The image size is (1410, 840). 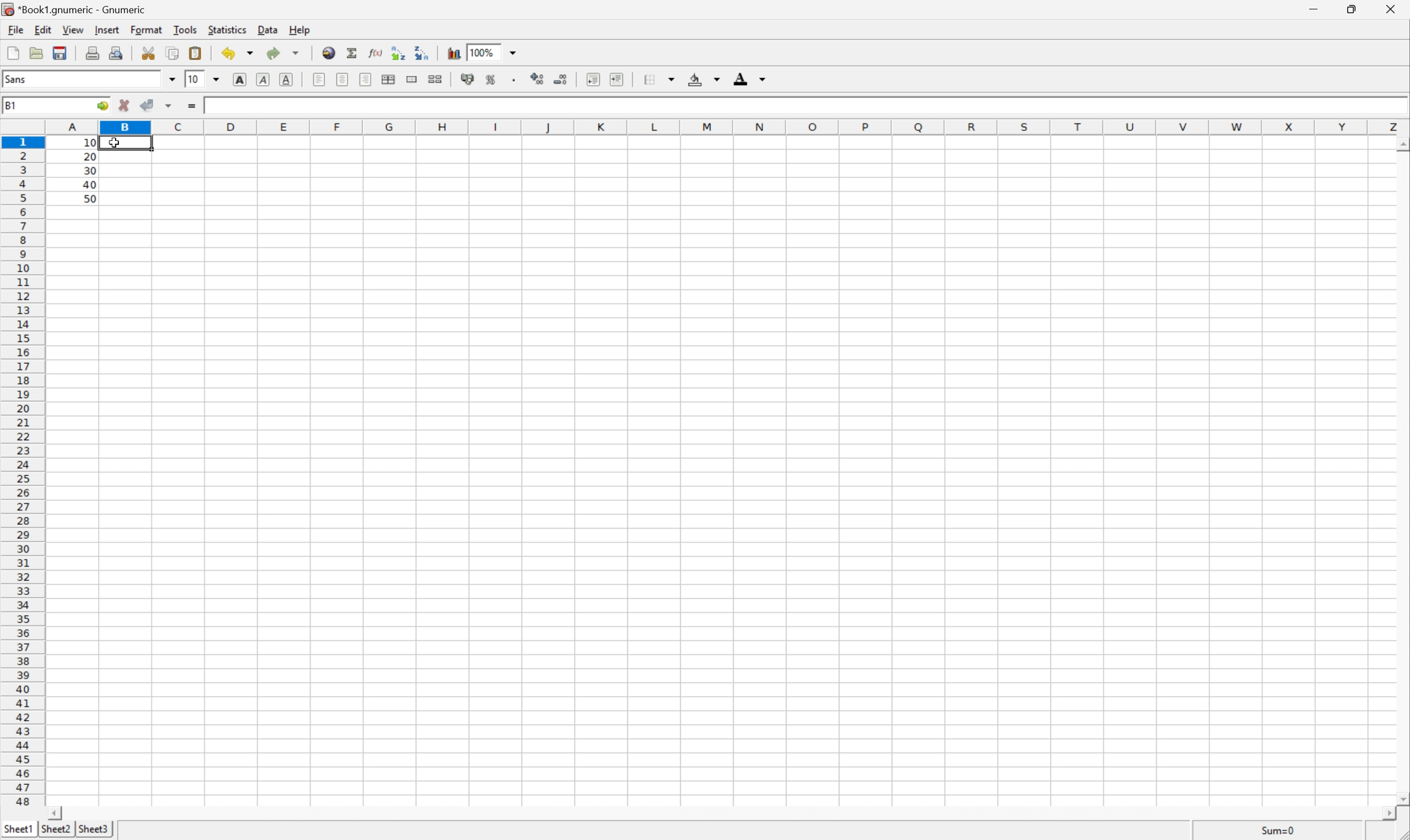 What do you see at coordinates (148, 53) in the screenshot?
I see `Cut selection` at bounding box center [148, 53].